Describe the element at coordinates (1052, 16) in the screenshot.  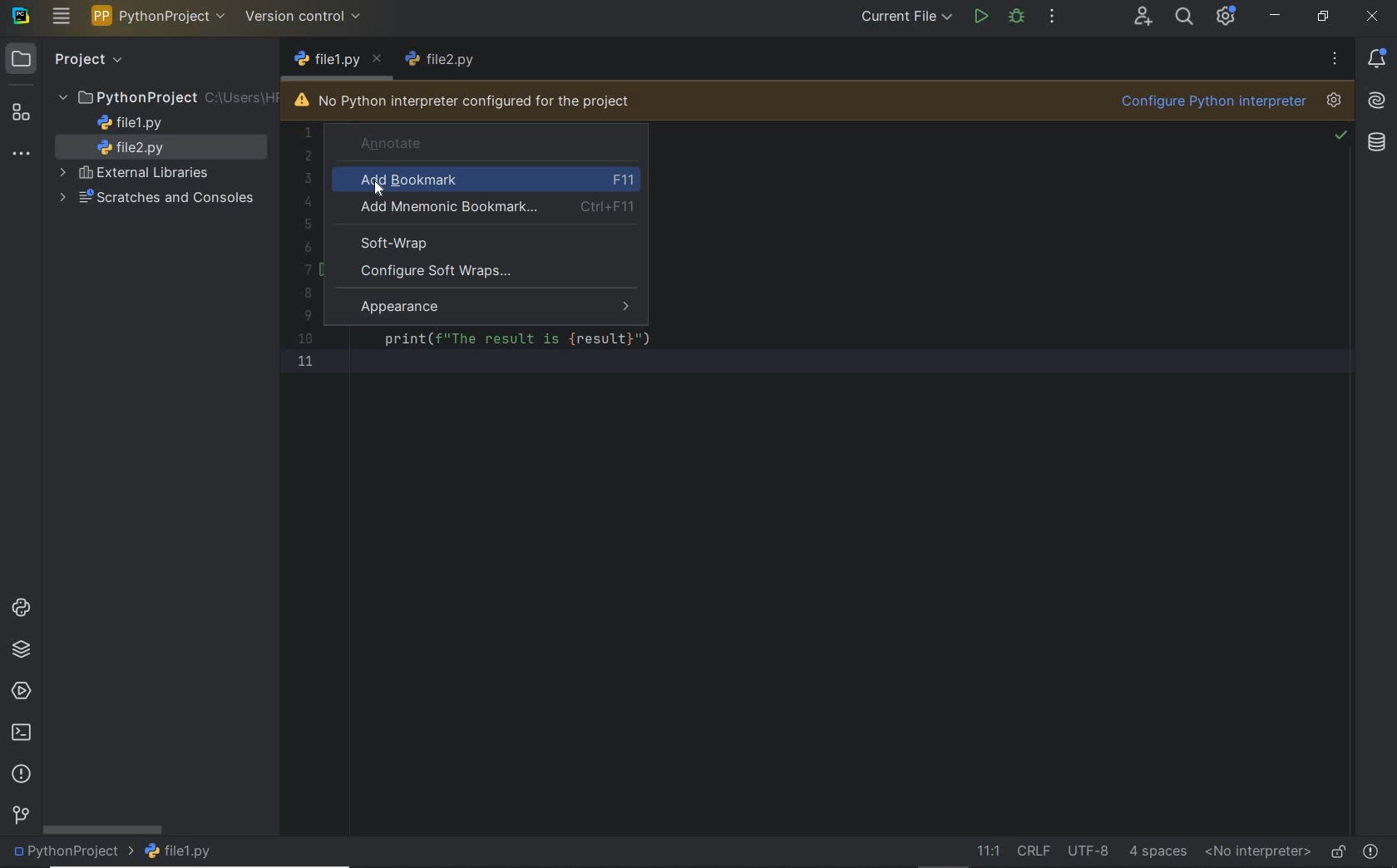
I see `more actions` at that location.